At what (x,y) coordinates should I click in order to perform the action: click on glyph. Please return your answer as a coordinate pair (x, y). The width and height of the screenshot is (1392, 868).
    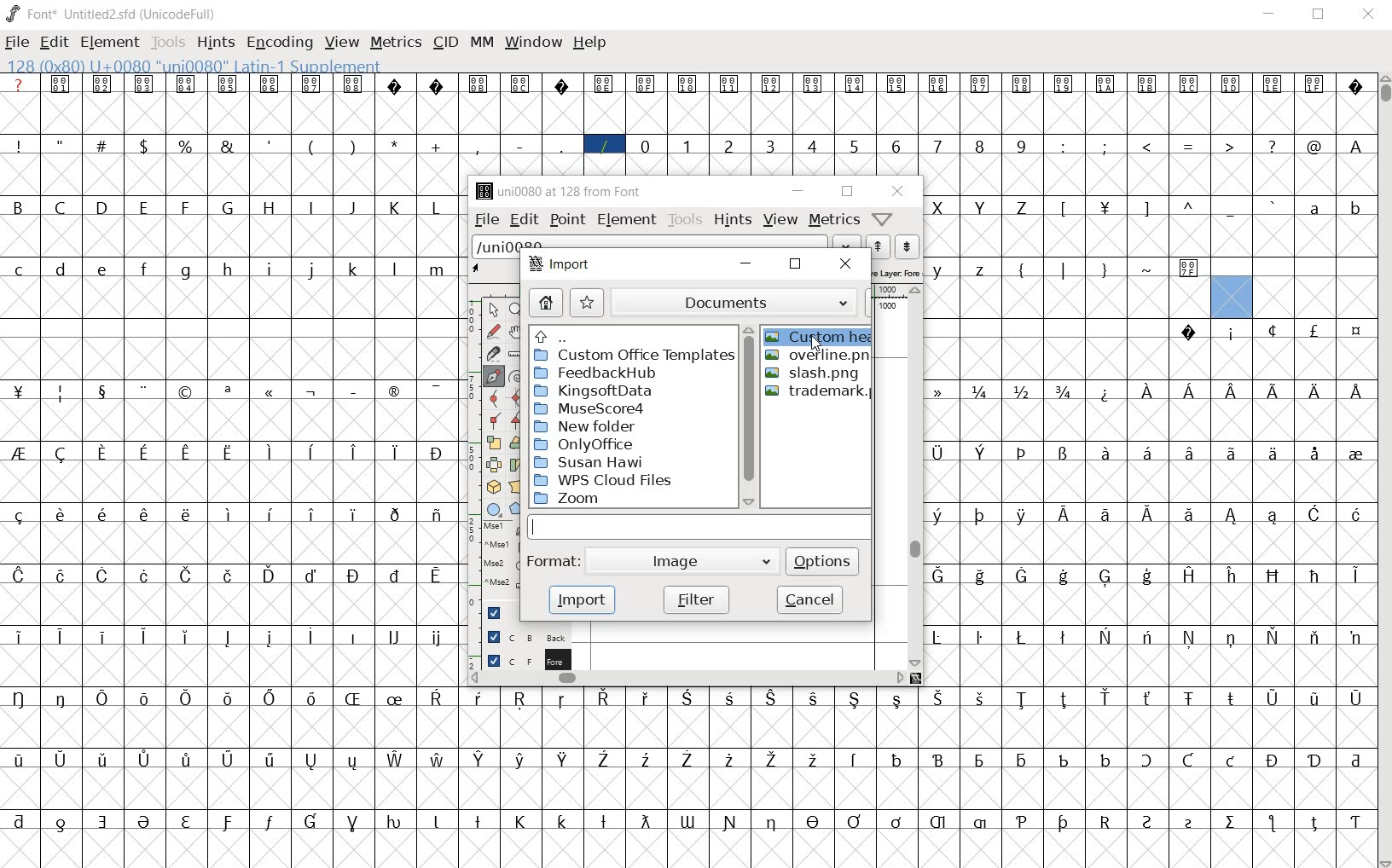
    Looking at the image, I should click on (980, 576).